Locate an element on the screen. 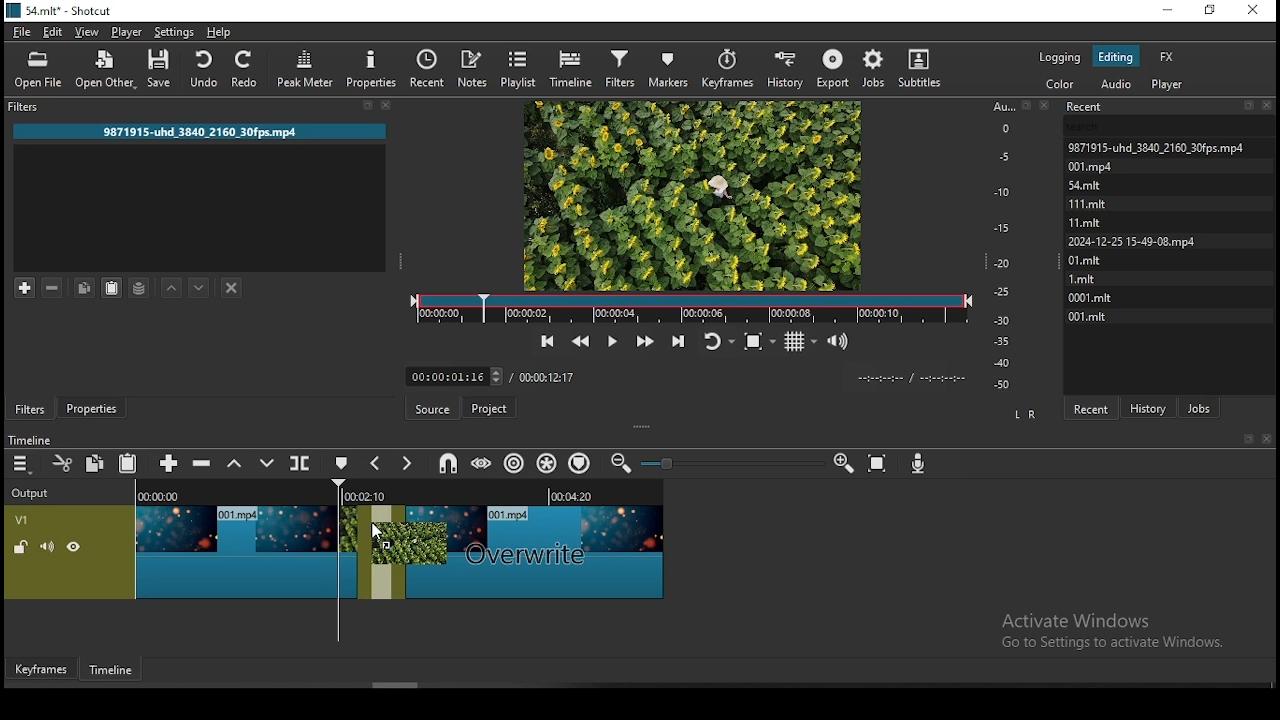 The width and height of the screenshot is (1280, 720). bookmark is located at coordinates (1244, 439).